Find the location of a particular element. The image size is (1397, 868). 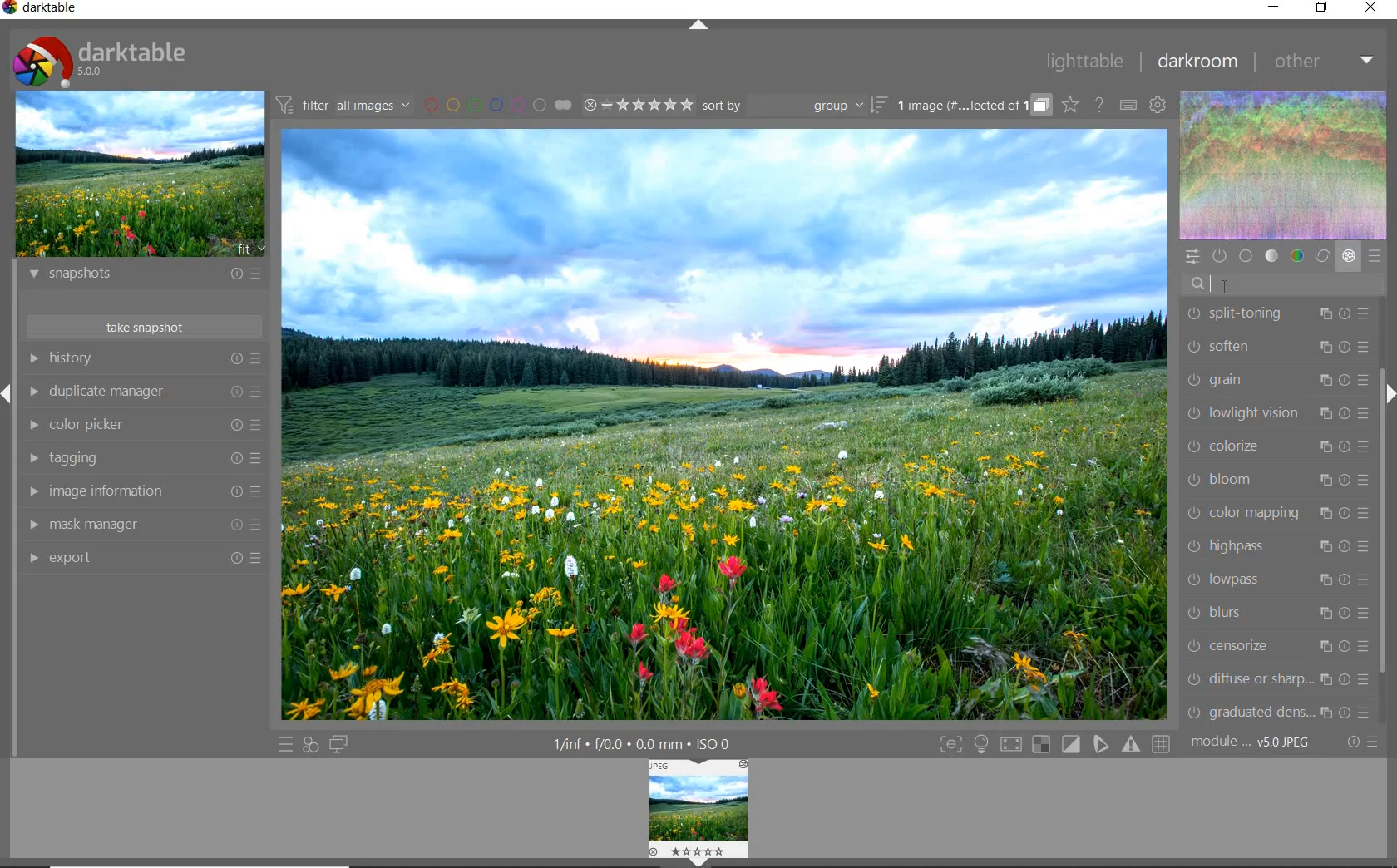

enable online help is located at coordinates (1100, 106).